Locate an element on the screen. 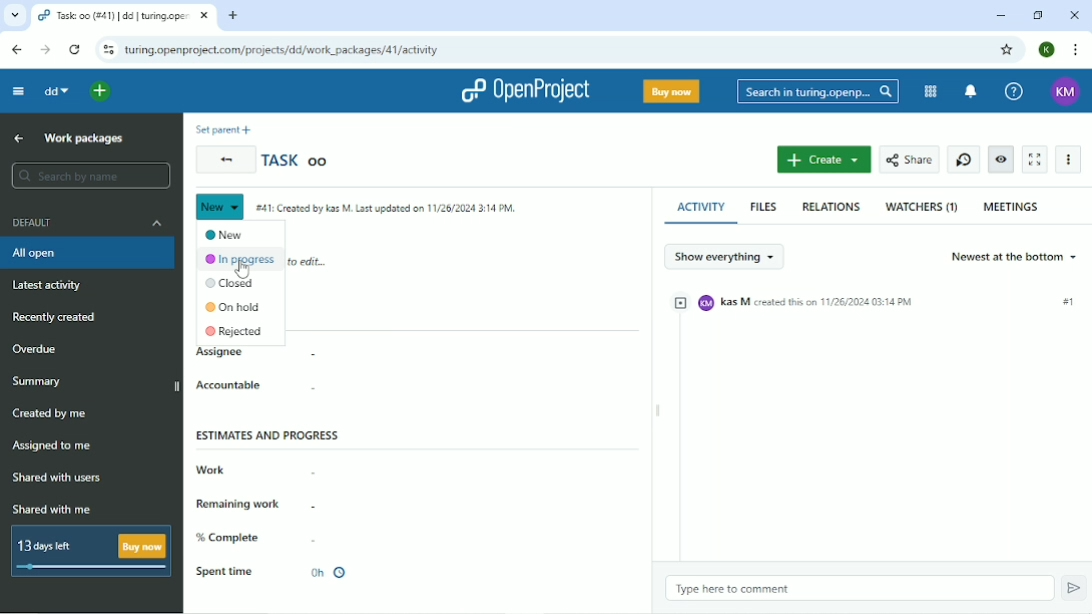  dd is located at coordinates (57, 91).